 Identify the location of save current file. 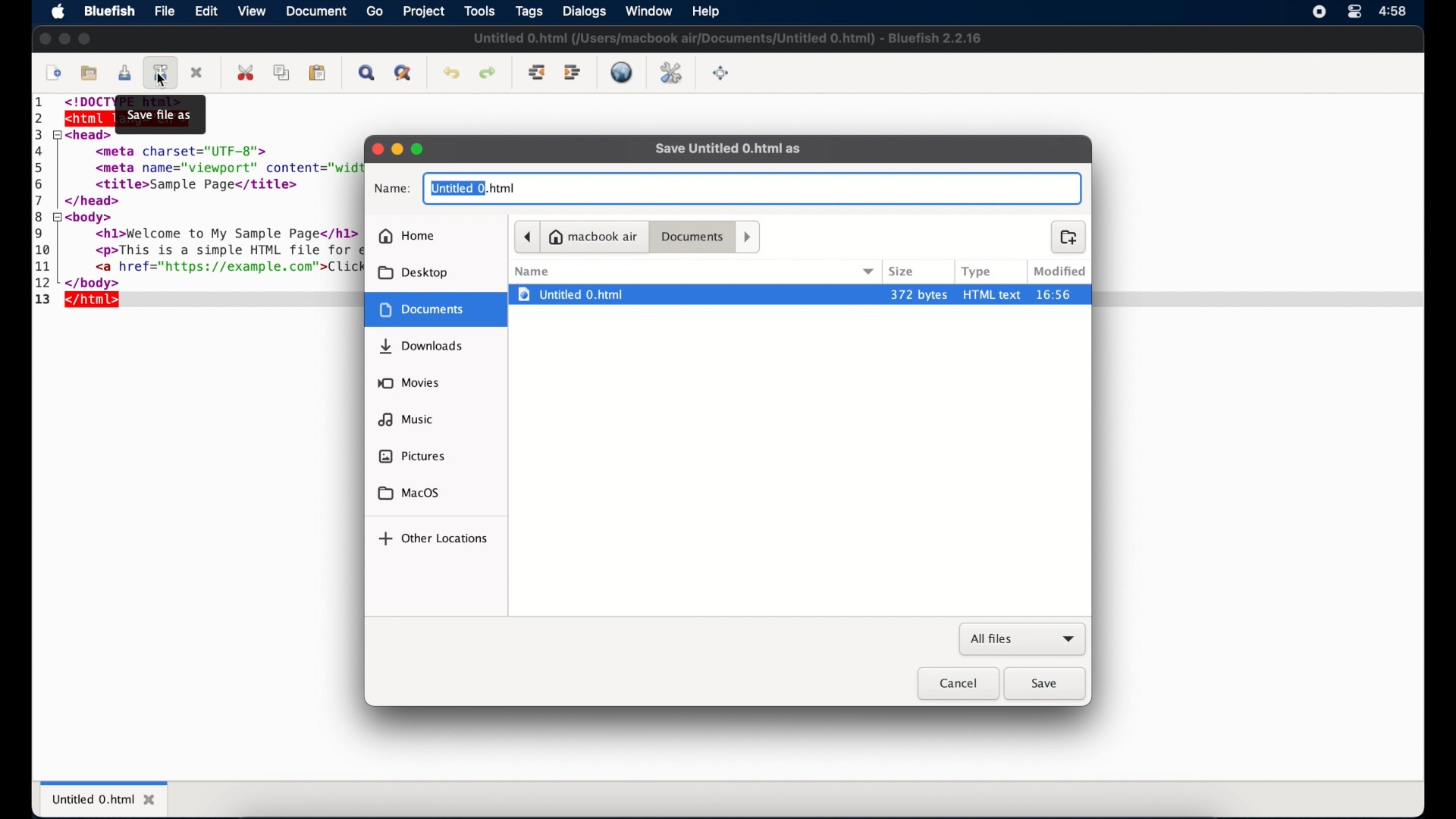
(124, 73).